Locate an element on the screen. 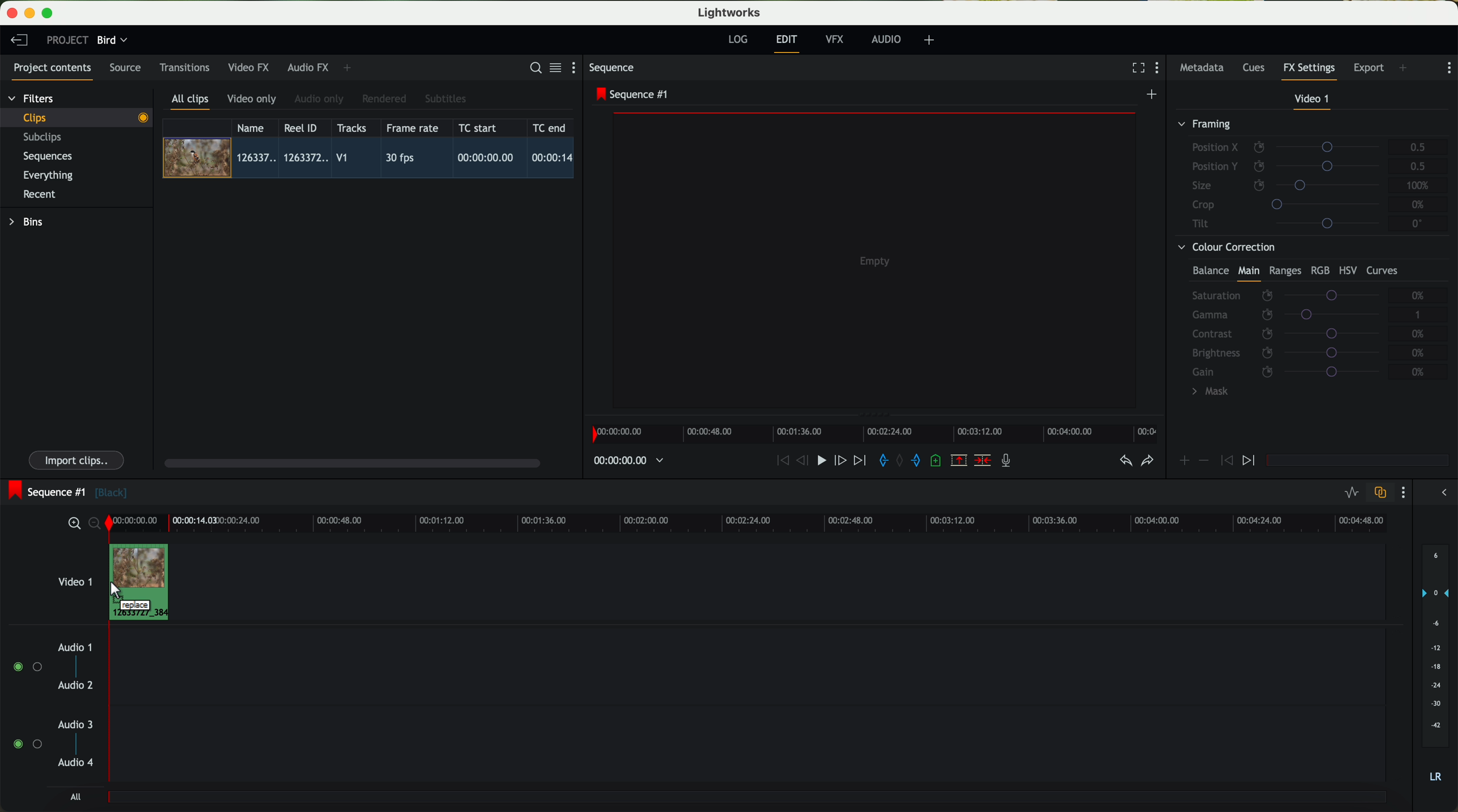 This screenshot has width=1458, height=812. sequences is located at coordinates (48, 157).